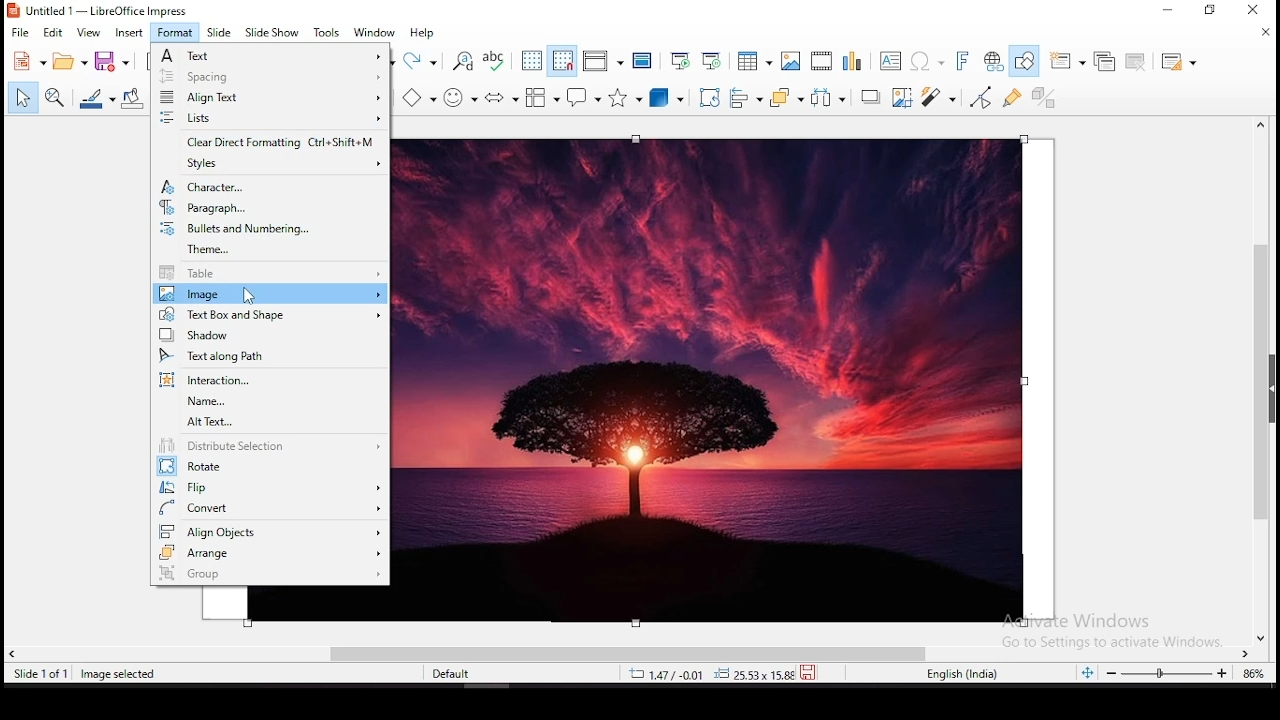 This screenshot has height=720, width=1280. Describe the element at coordinates (272, 508) in the screenshot. I see `convert` at that location.